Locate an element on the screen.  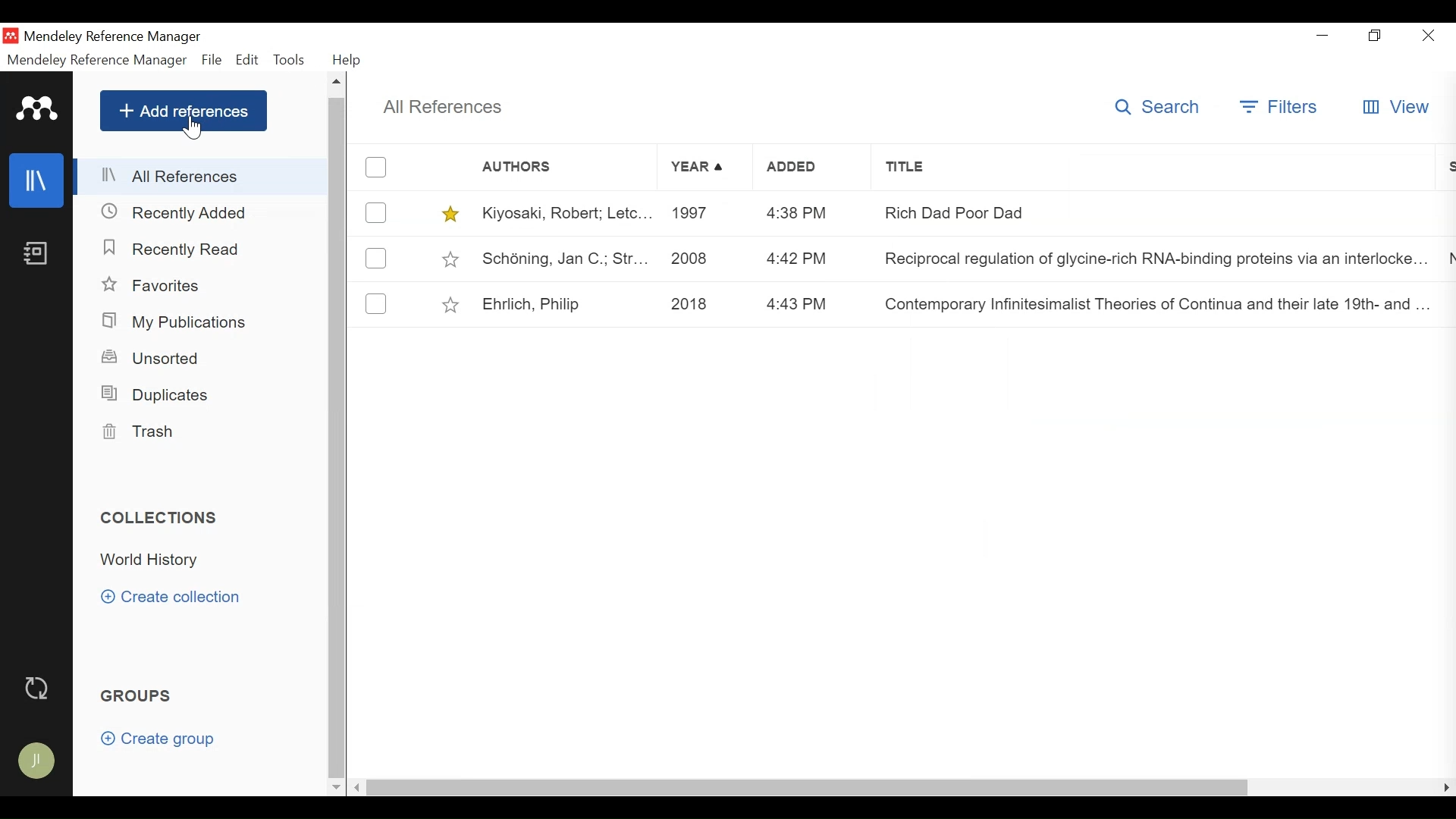
(un)select is located at coordinates (378, 167).